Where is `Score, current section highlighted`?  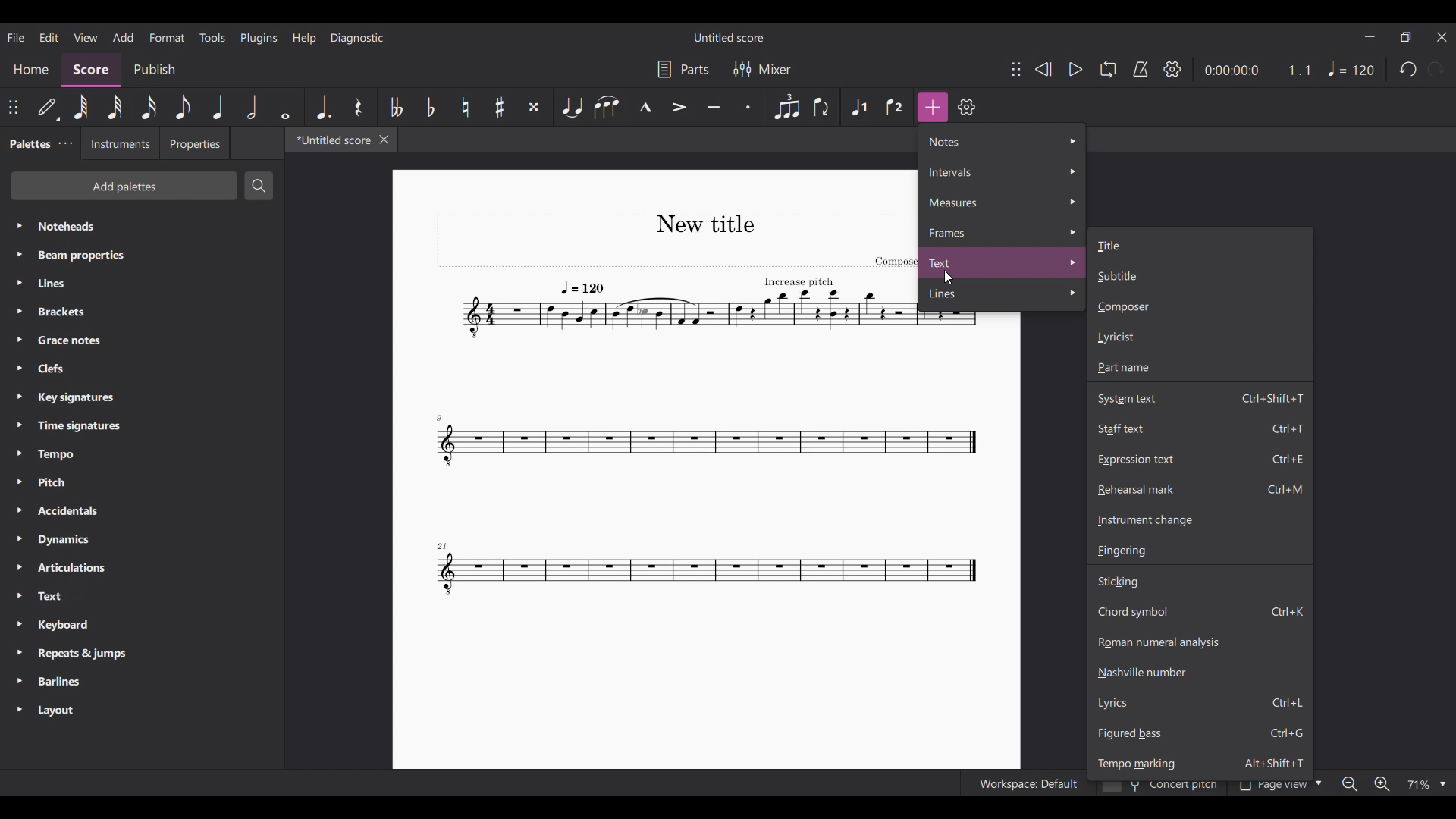
Score, current section highlighted is located at coordinates (91, 70).